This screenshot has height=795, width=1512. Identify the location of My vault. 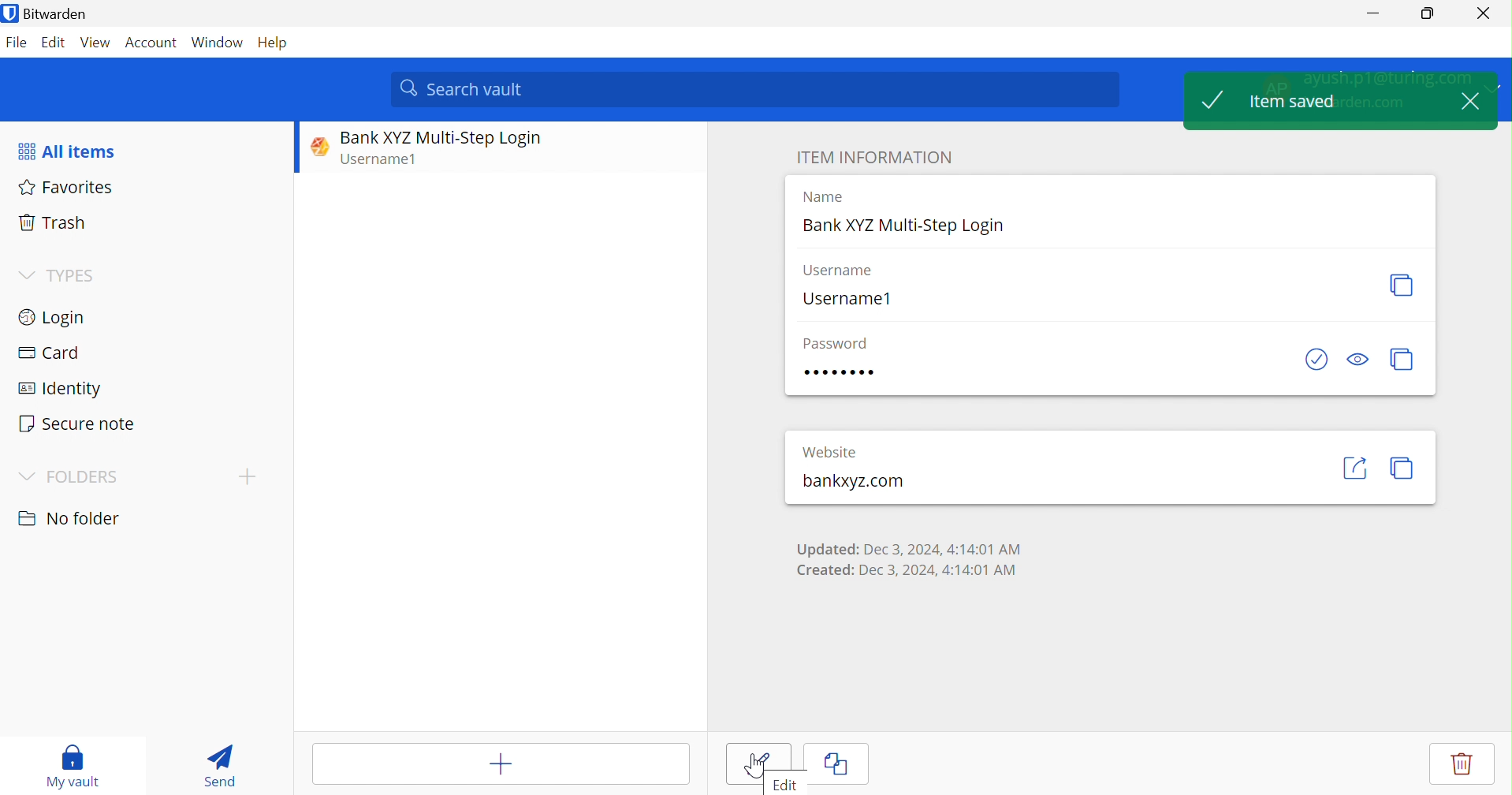
(72, 766).